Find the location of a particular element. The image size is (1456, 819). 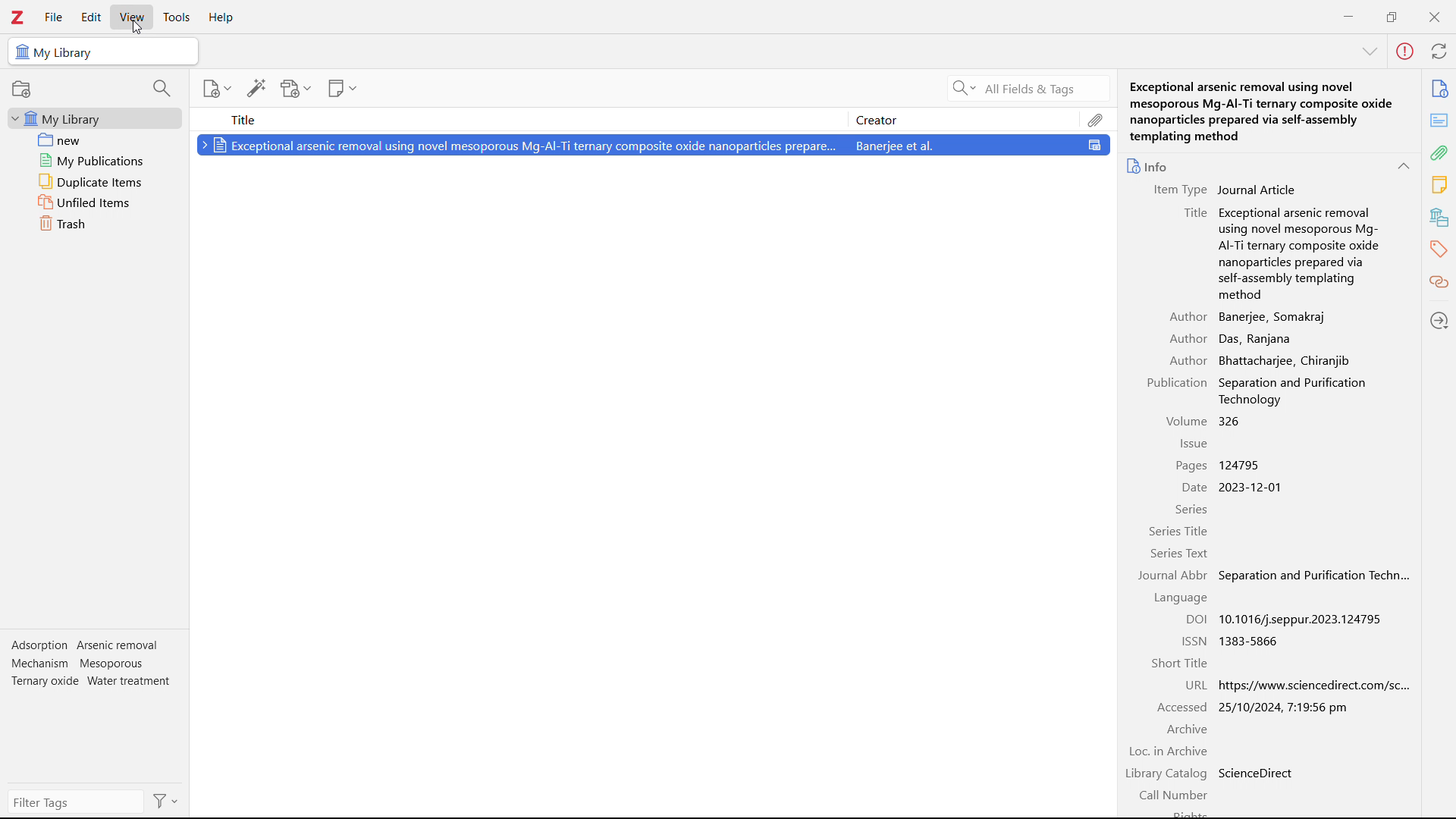

filter collections is located at coordinates (162, 88).